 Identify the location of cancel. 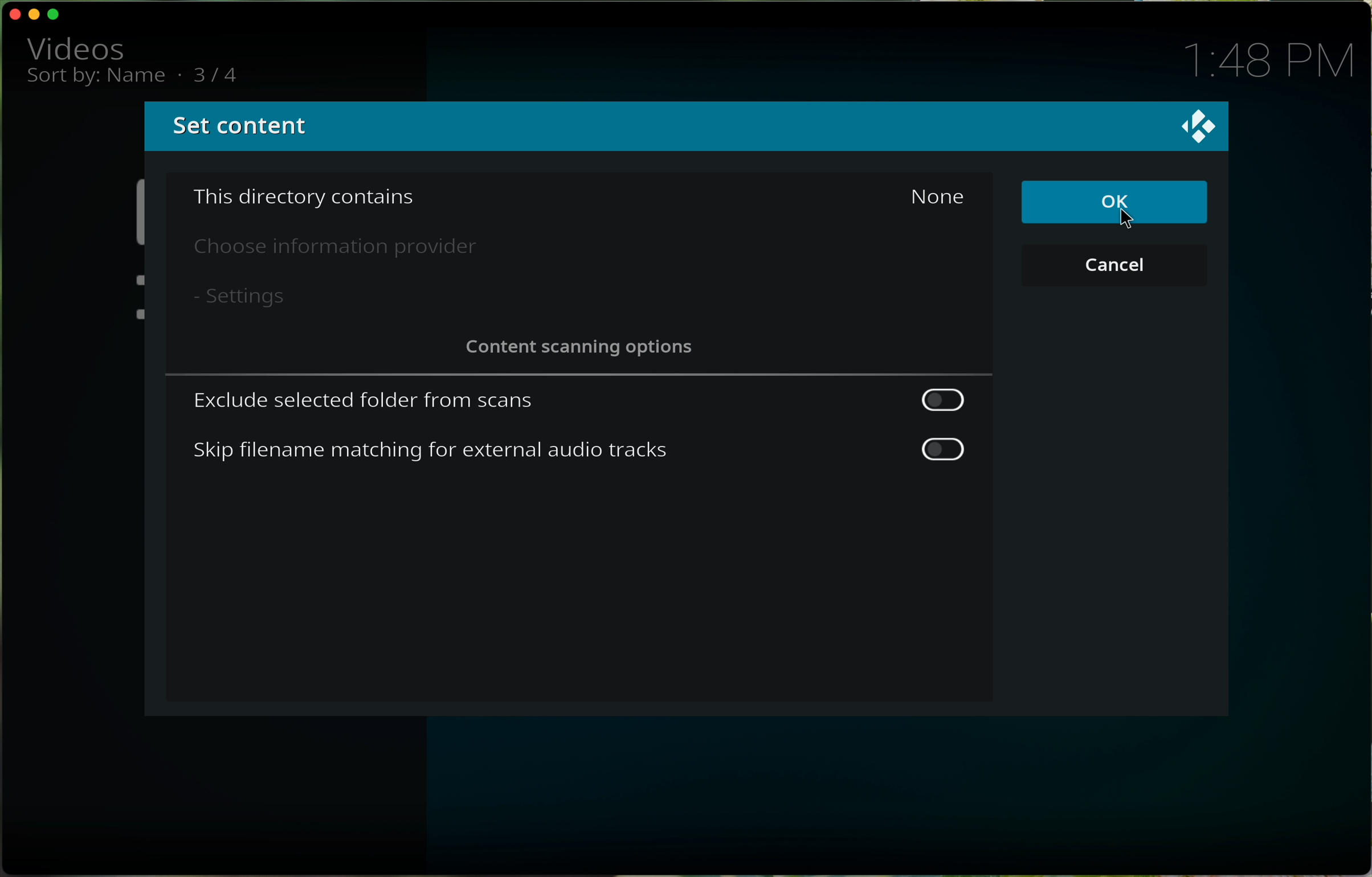
(1115, 264).